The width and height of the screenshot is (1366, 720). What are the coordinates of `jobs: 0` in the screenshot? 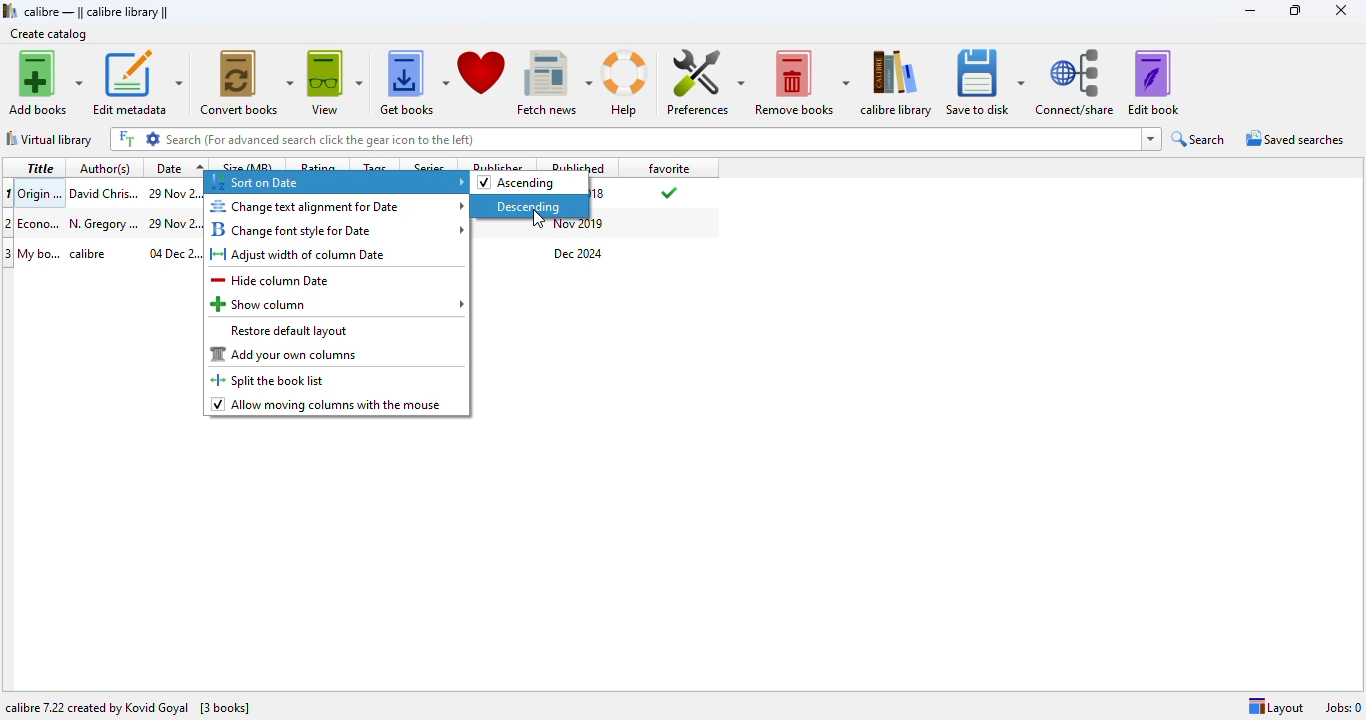 It's located at (1343, 708).